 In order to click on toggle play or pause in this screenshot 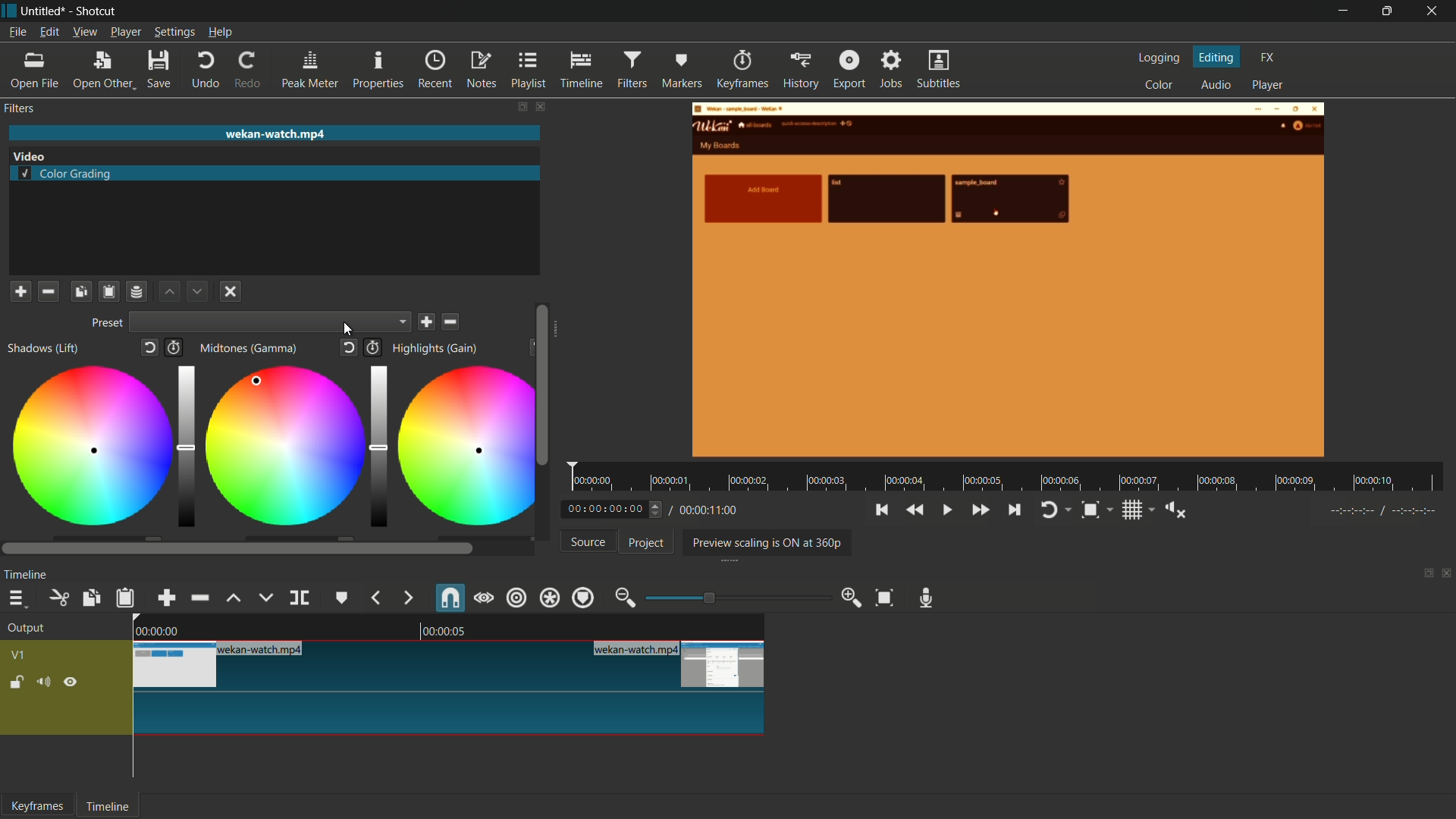, I will do `click(947, 510)`.